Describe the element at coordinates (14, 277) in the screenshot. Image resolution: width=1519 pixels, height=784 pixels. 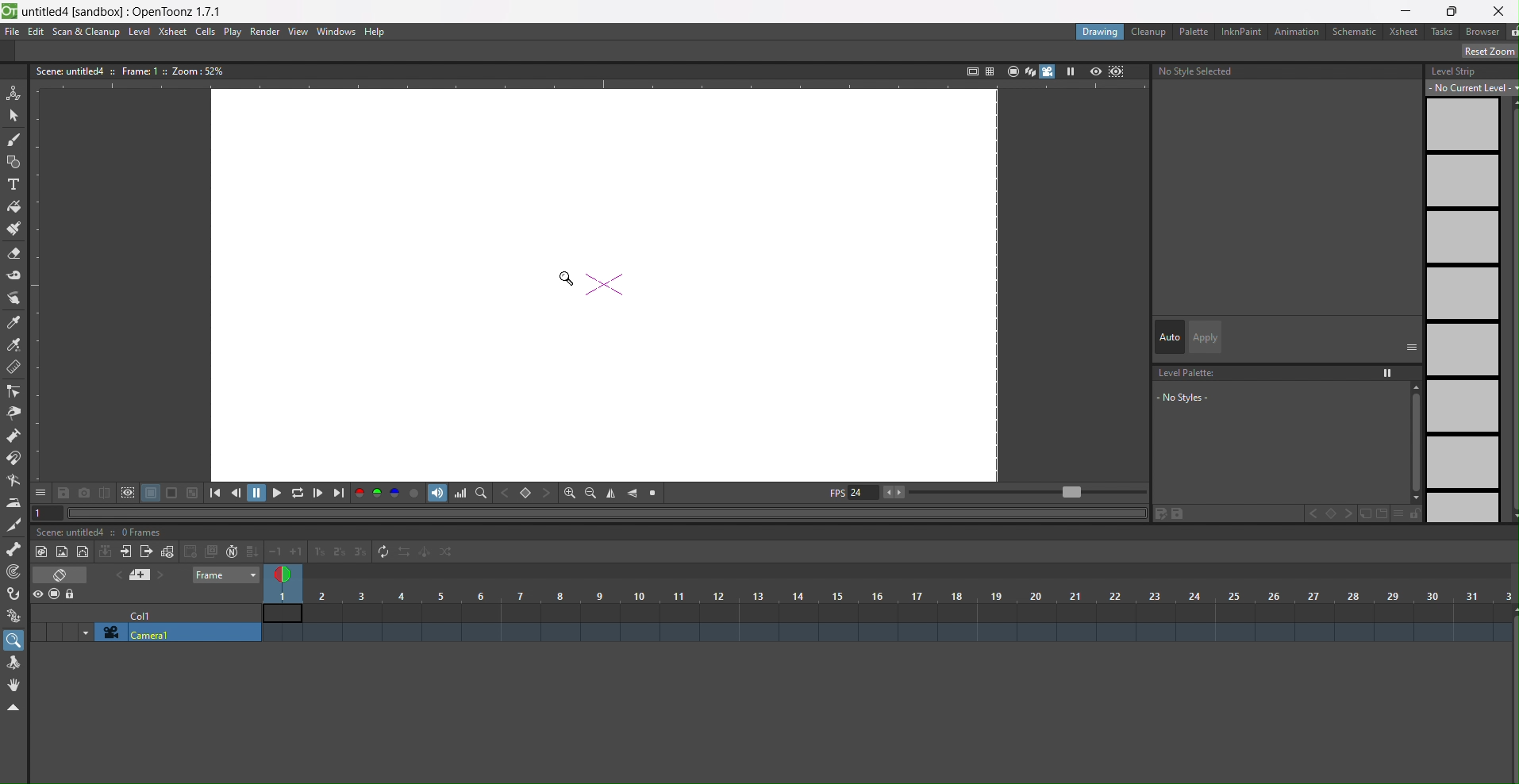
I see `tape tool` at that location.